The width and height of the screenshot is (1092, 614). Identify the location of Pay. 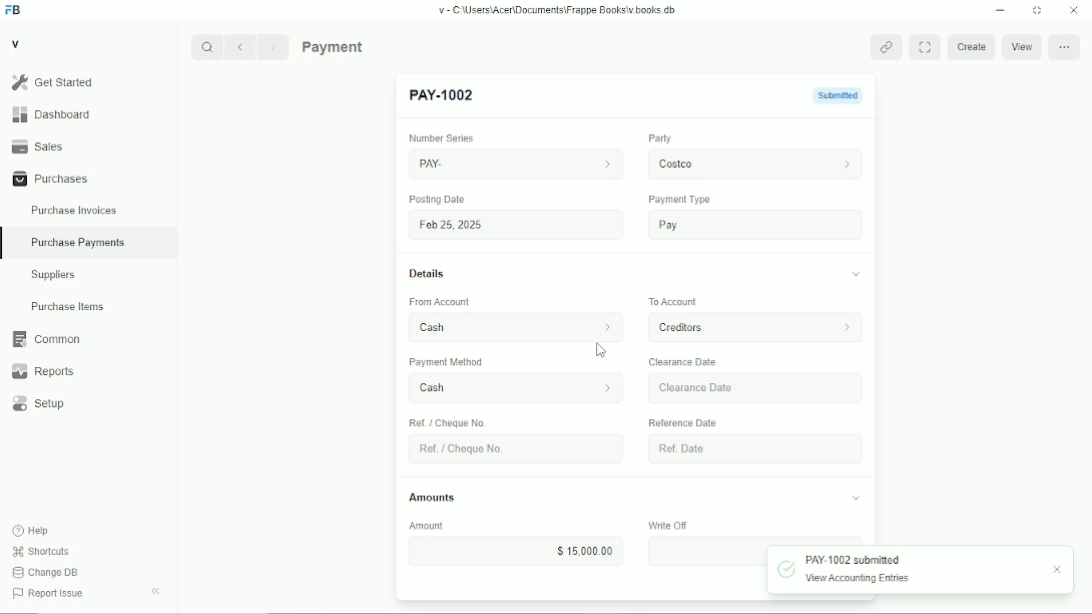
(750, 226).